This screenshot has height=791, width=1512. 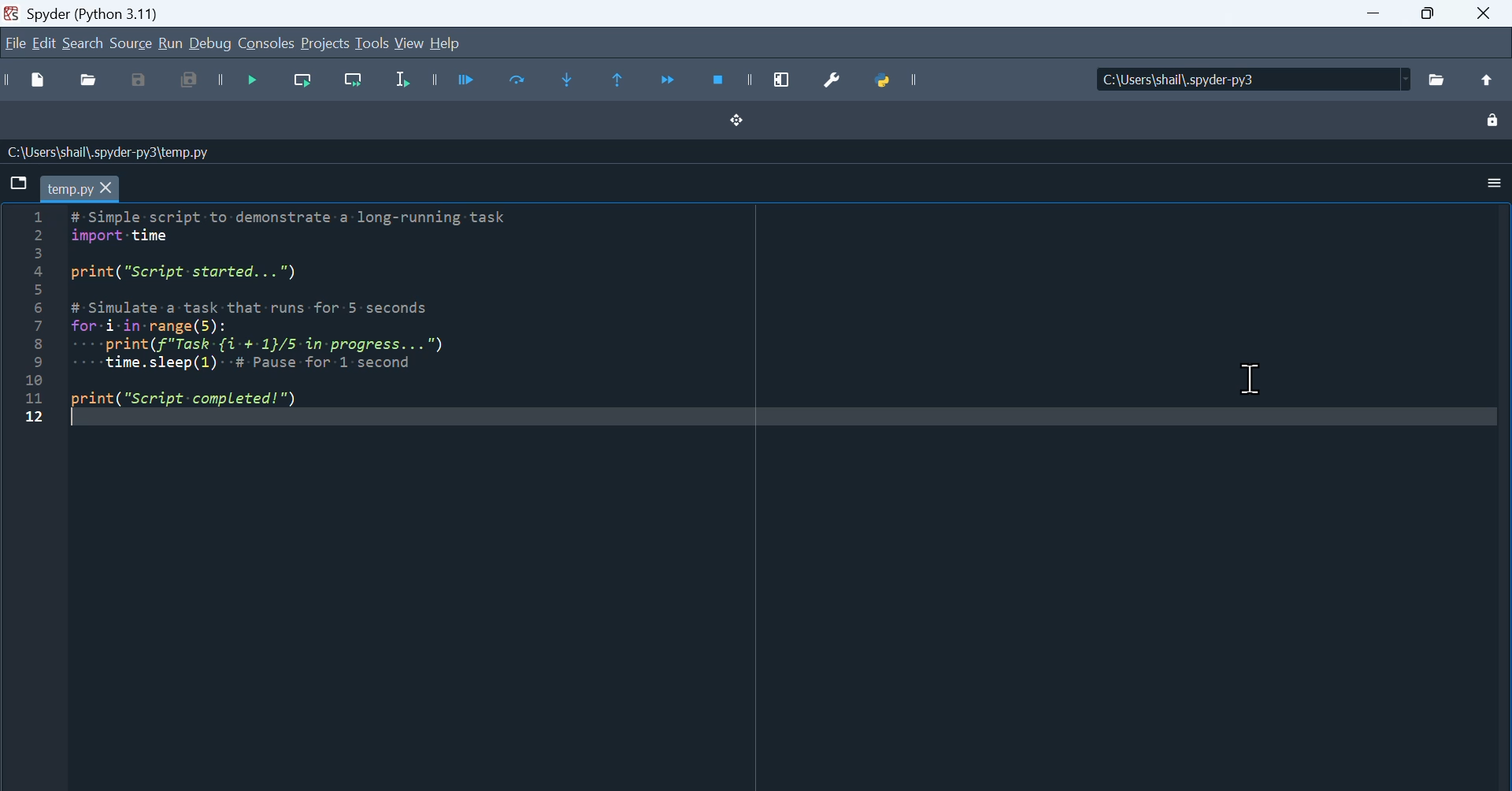 What do you see at coordinates (619, 83) in the screenshot?
I see `Execute until same function returns` at bounding box center [619, 83].